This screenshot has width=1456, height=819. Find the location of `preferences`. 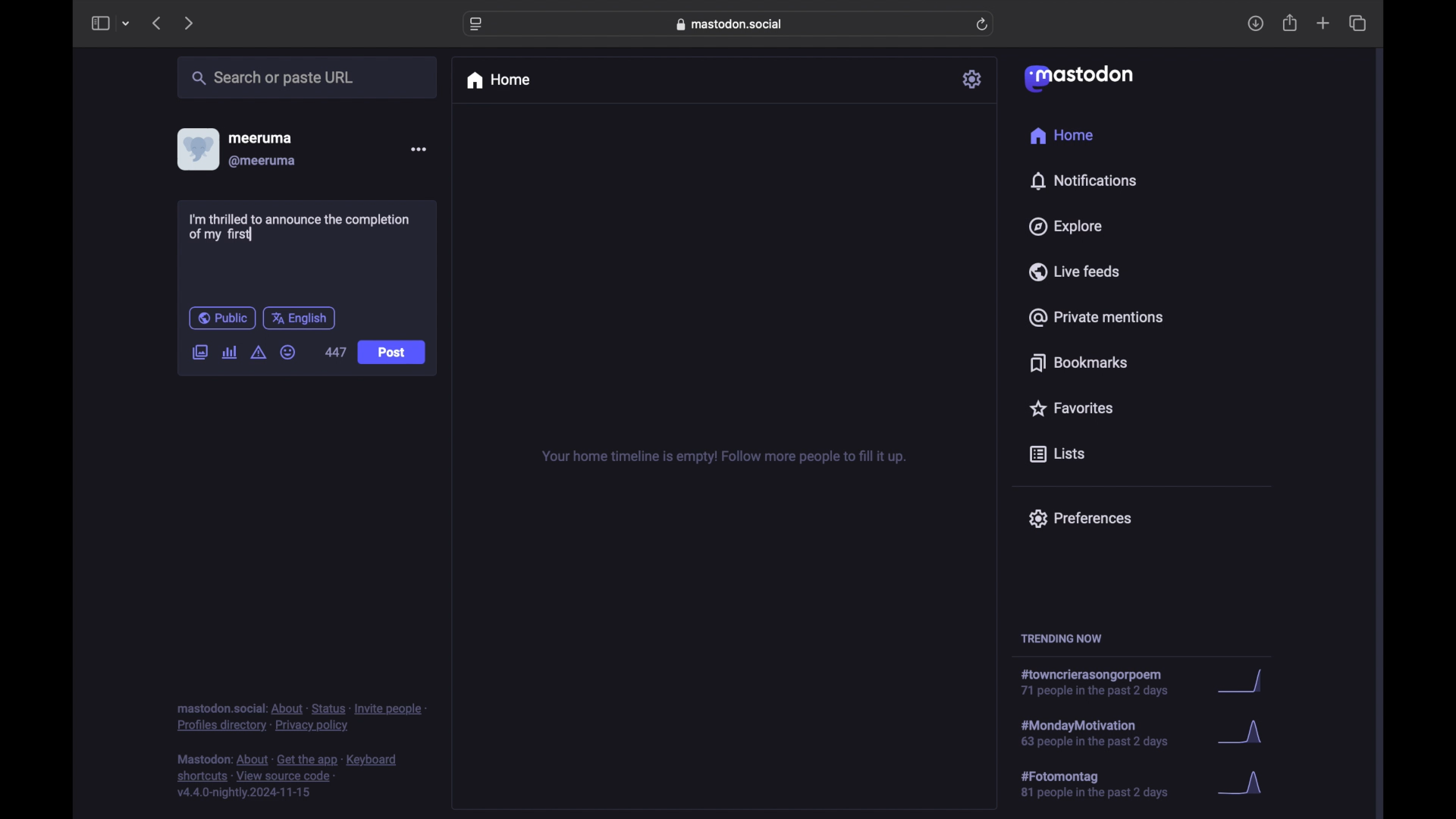

preferences is located at coordinates (1080, 519).